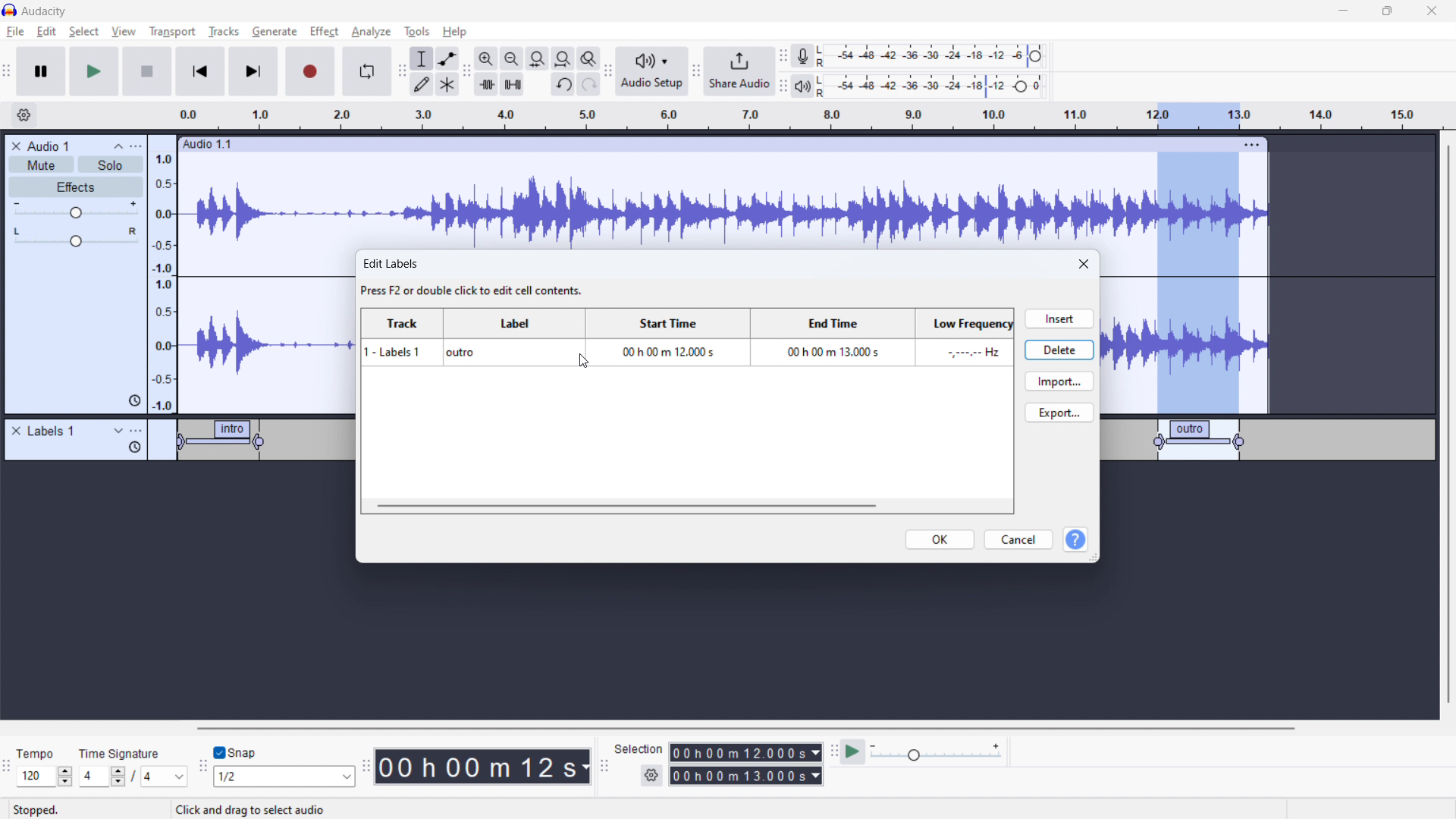 The height and width of the screenshot is (819, 1456). I want to click on fit selction to width, so click(538, 59).